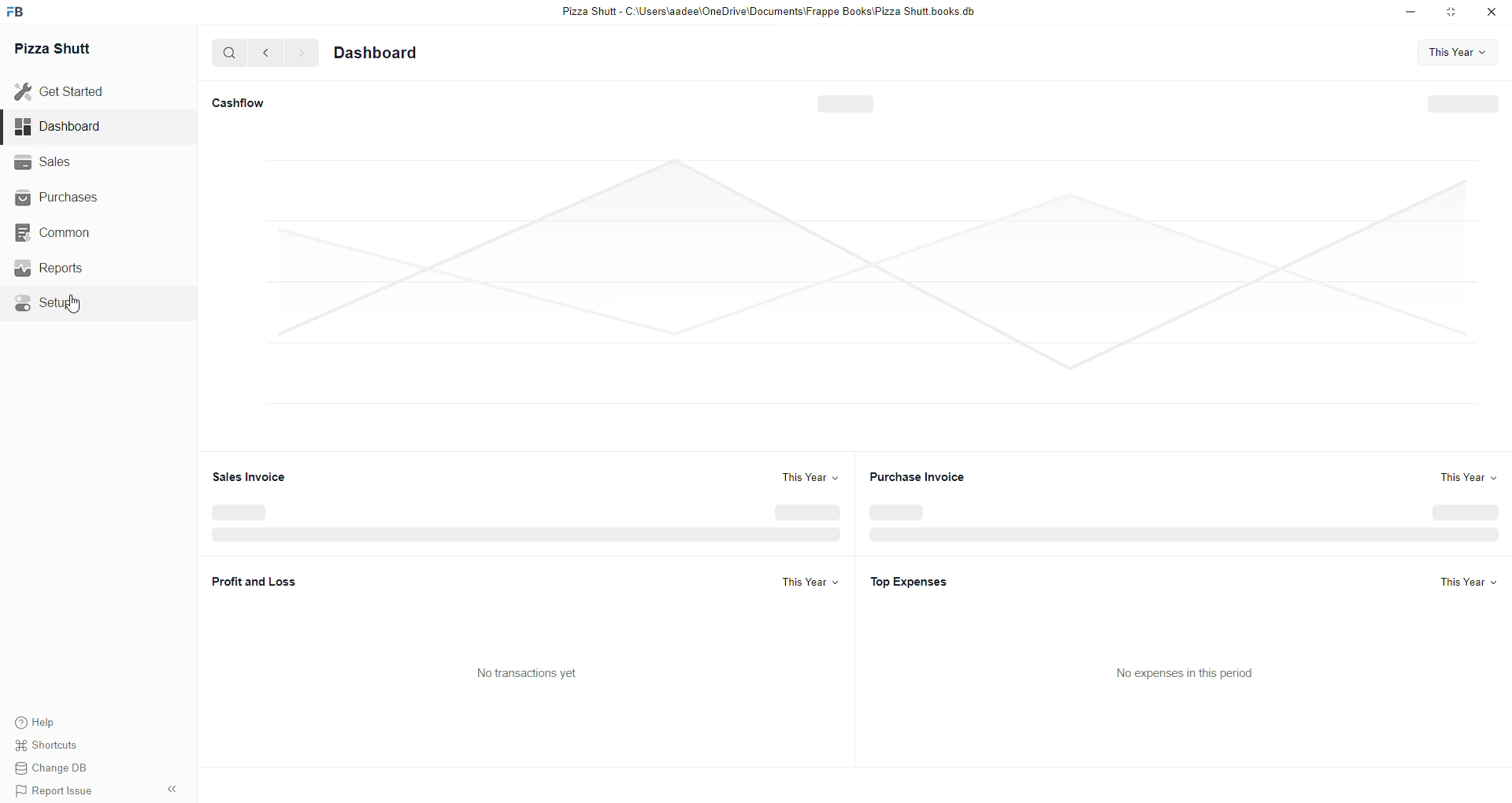 This screenshot has width=1512, height=803. I want to click on Frappe Book Logo, so click(23, 12).